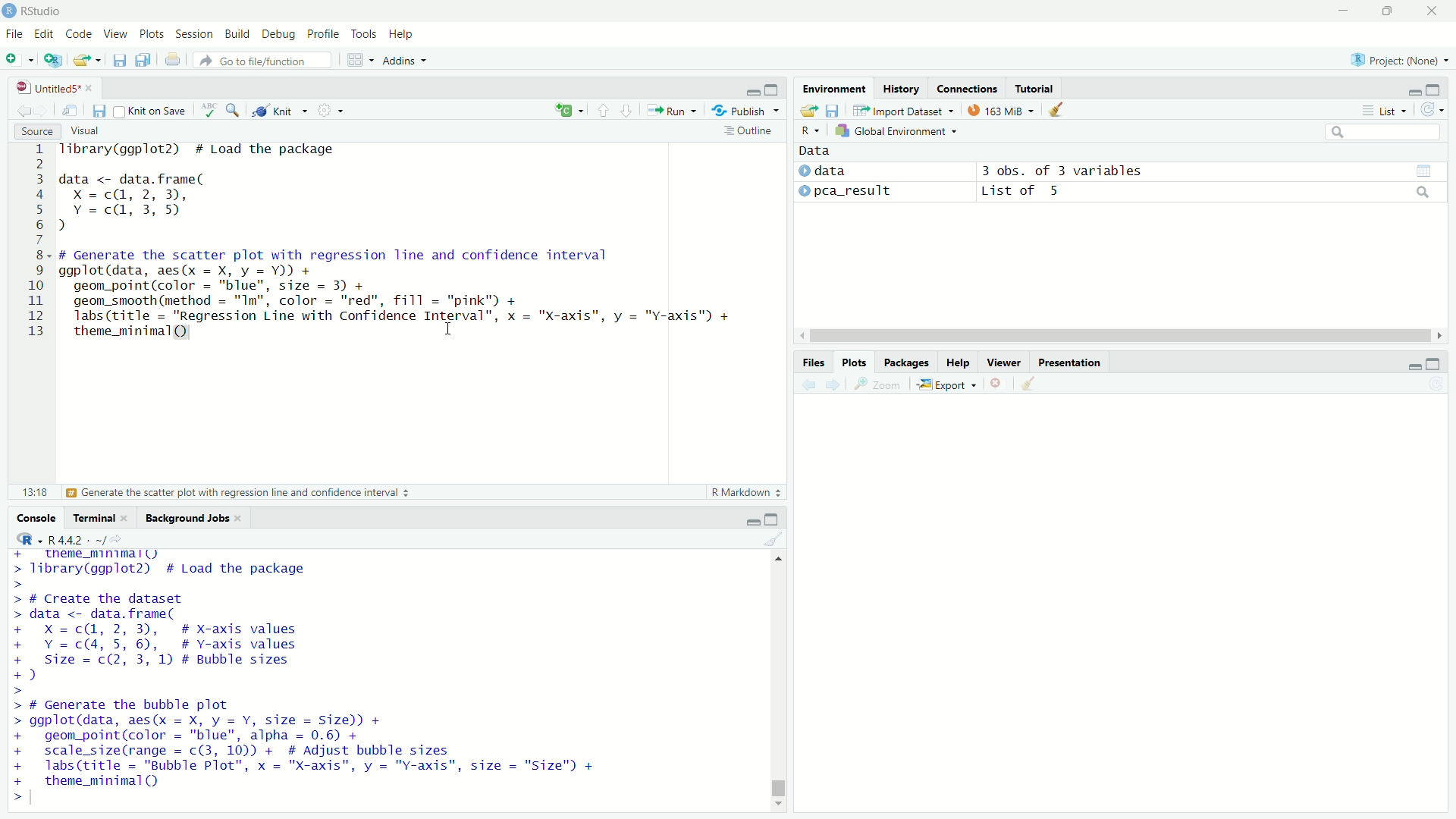  I want to click on Environment, so click(834, 87).